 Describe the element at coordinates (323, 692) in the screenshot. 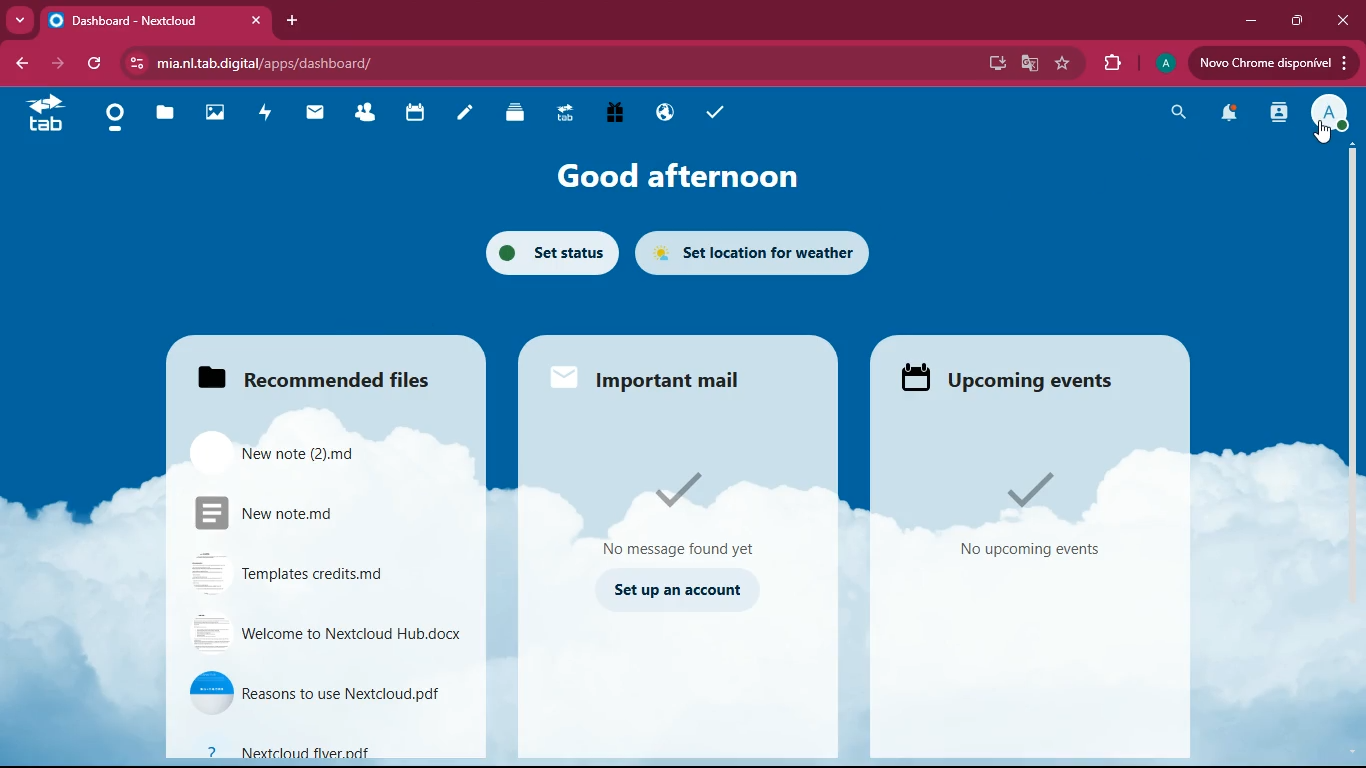

I see `file` at that location.